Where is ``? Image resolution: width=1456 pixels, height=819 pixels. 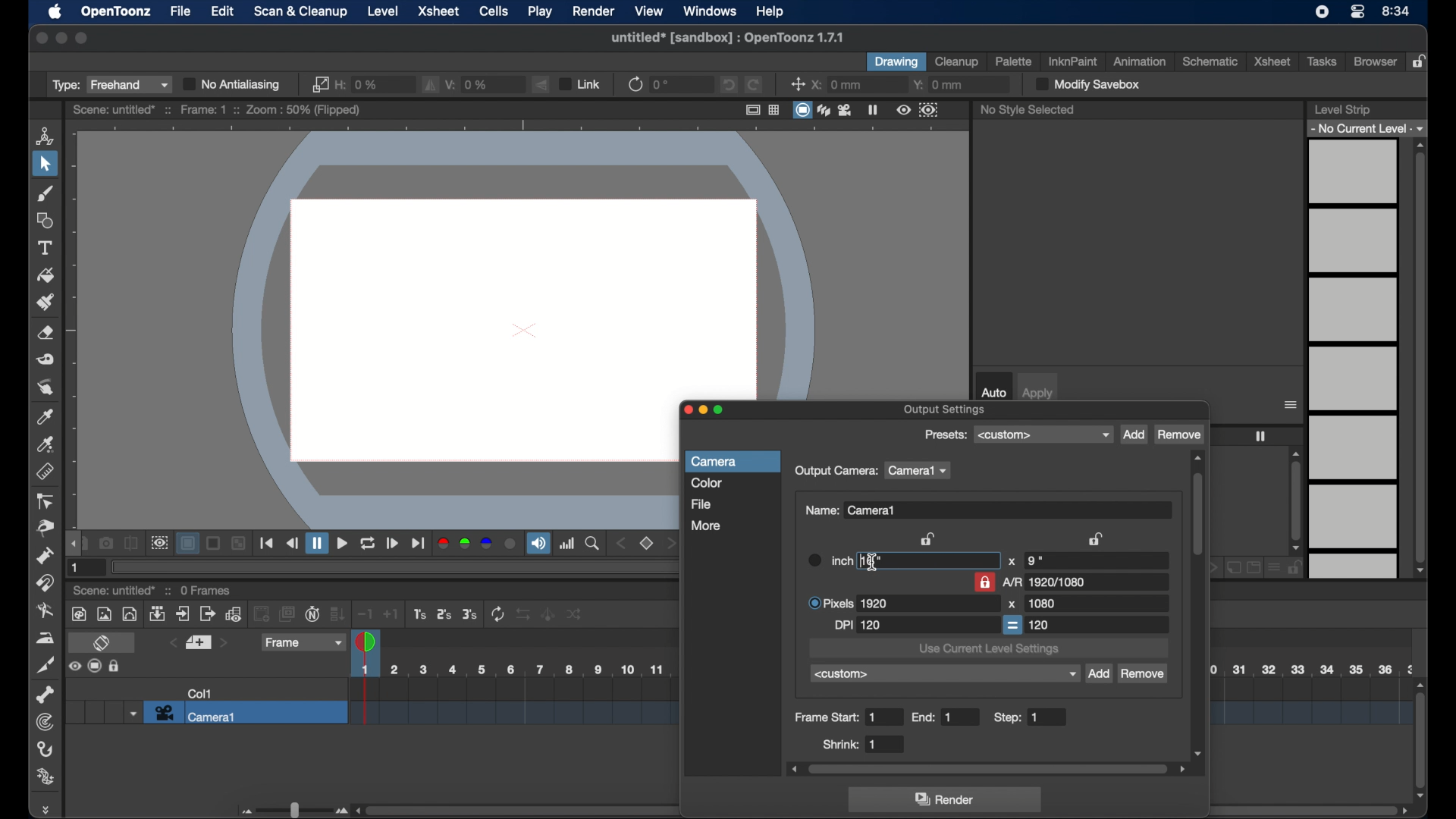  is located at coordinates (1257, 567).